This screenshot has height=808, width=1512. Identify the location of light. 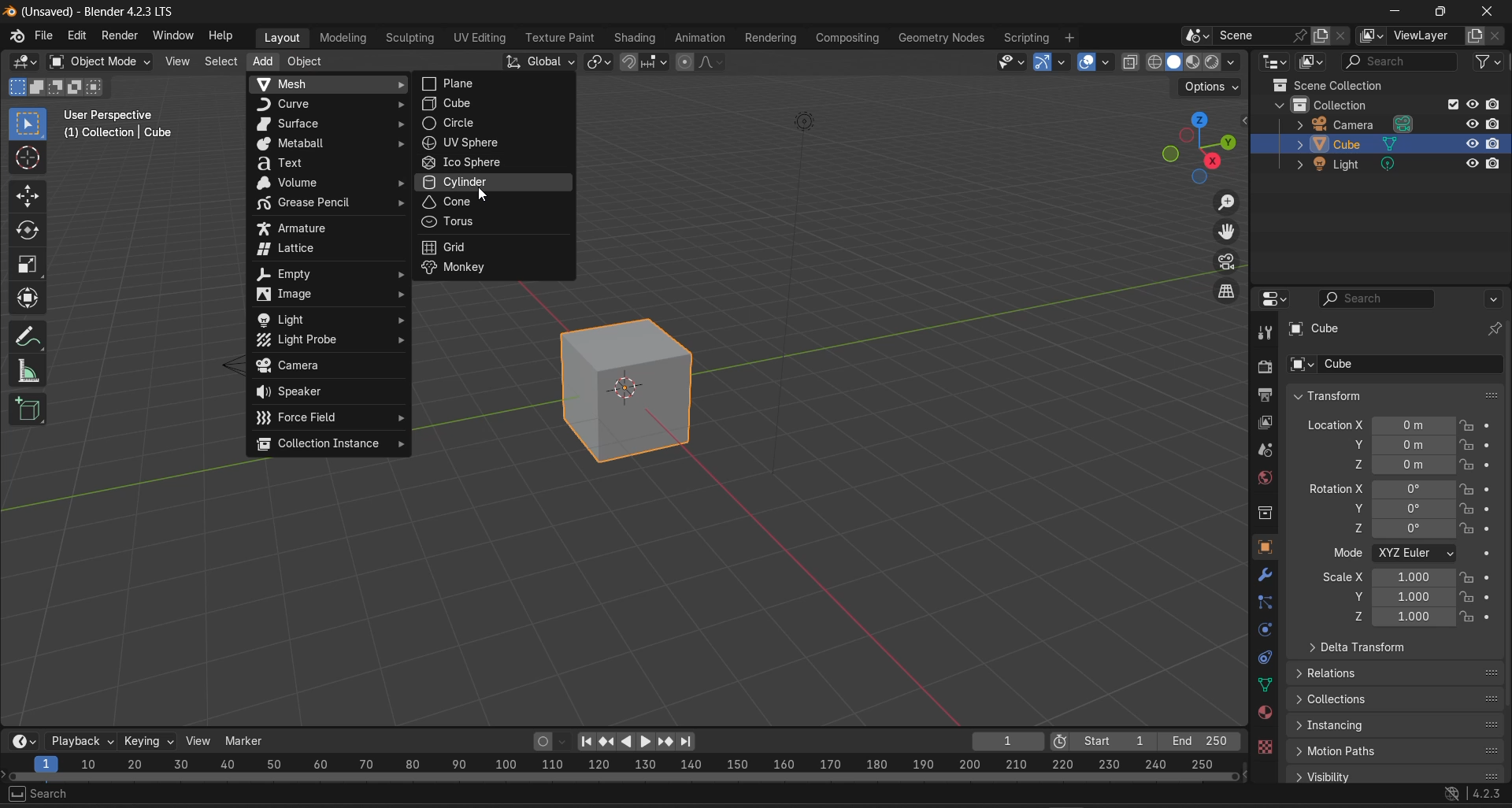
(331, 320).